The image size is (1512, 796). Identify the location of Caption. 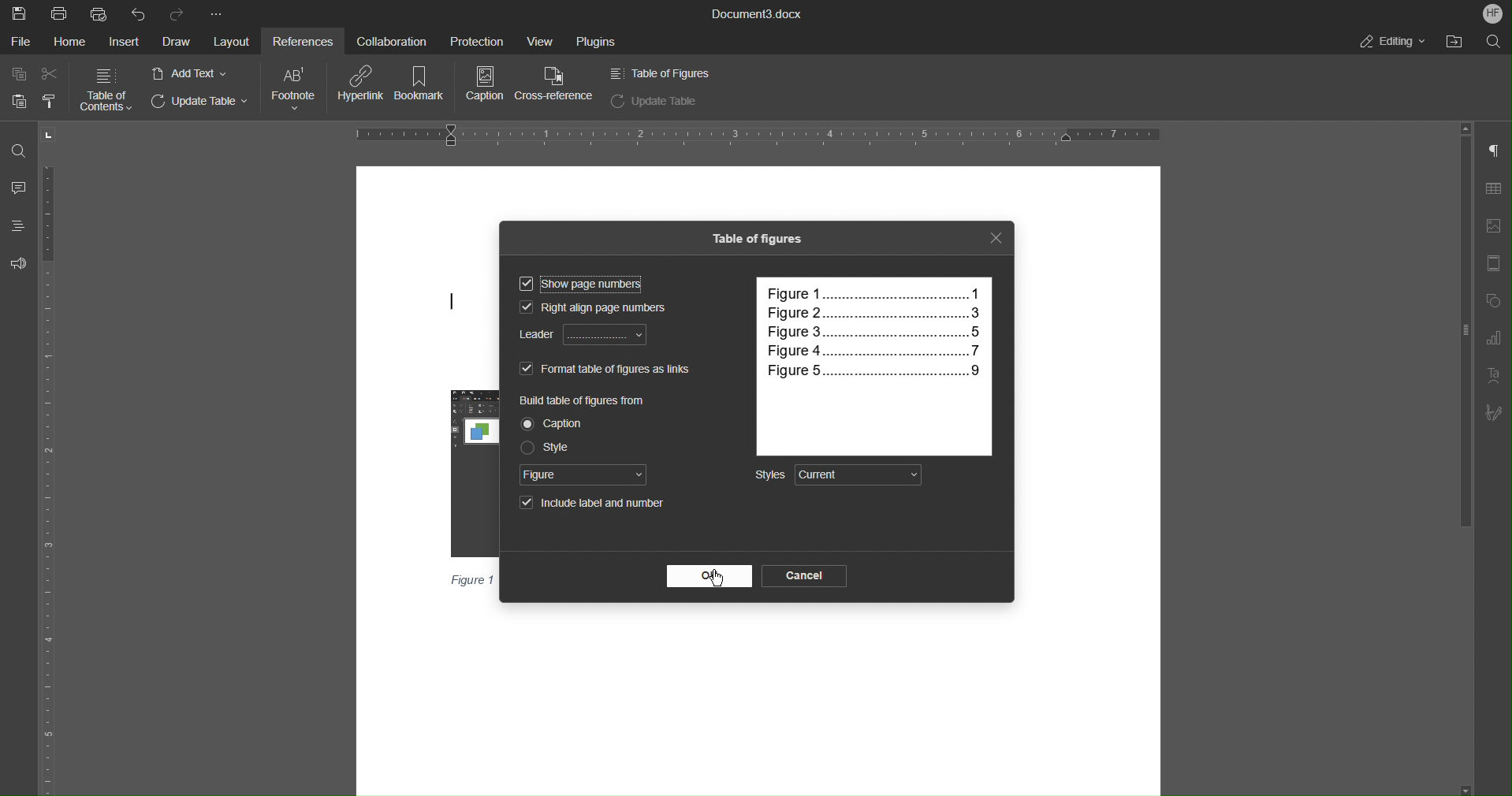
(556, 424).